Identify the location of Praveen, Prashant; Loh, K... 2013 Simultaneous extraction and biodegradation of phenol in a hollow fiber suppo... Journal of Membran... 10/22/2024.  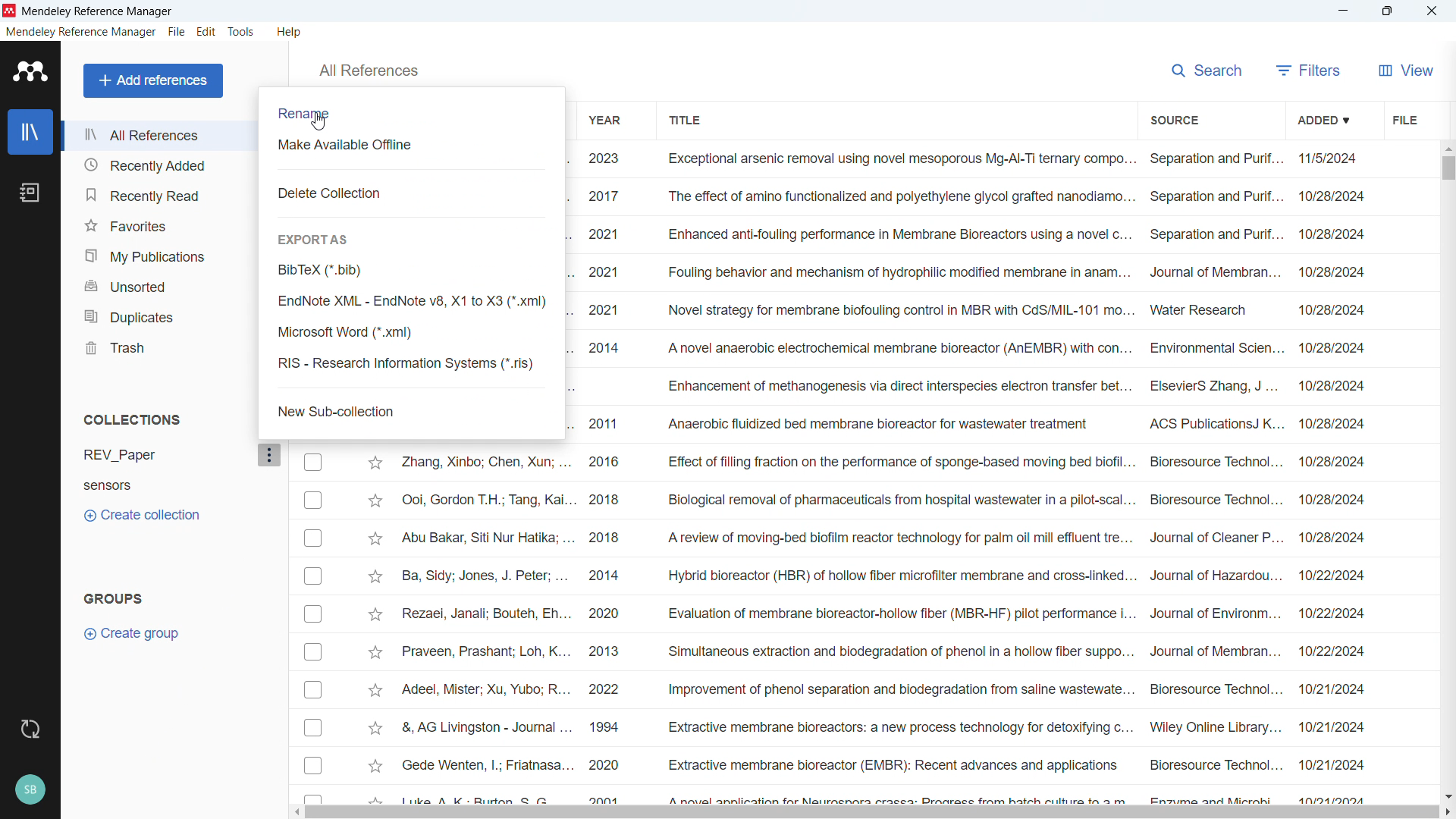
(883, 651).